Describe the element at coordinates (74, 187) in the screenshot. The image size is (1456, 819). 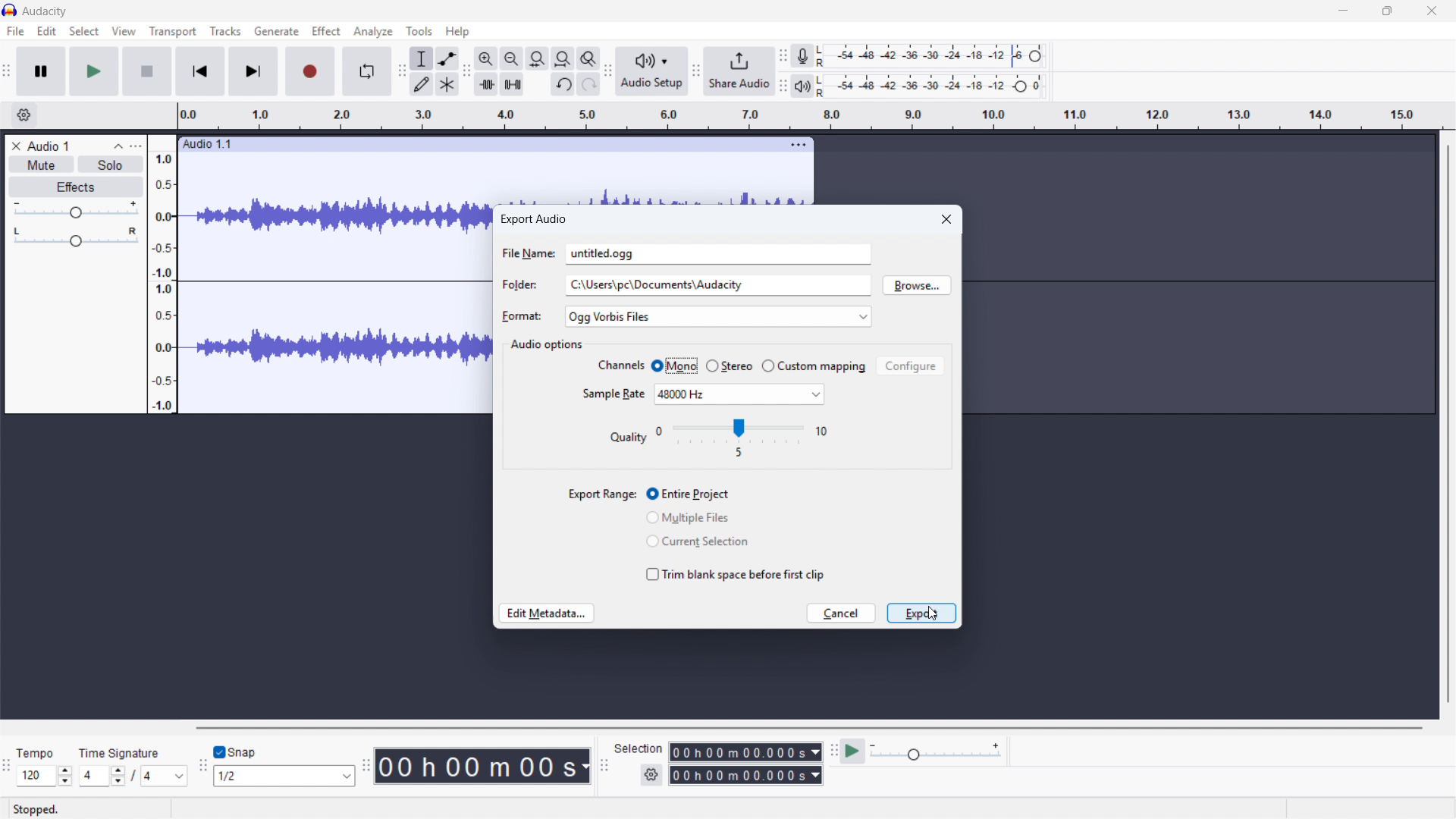
I see `Effects ` at that location.